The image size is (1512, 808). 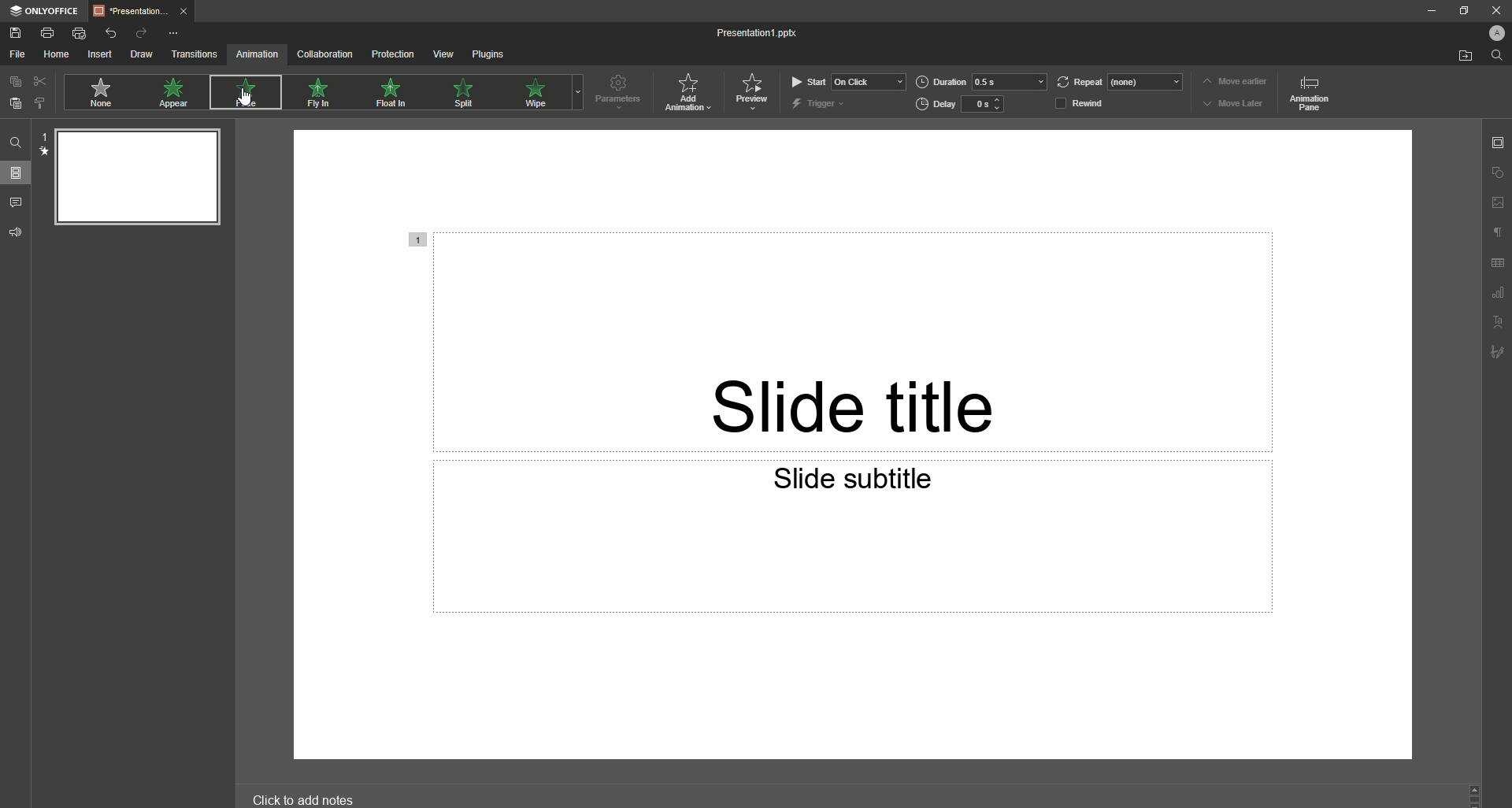 What do you see at coordinates (47, 32) in the screenshot?
I see `Print` at bounding box center [47, 32].